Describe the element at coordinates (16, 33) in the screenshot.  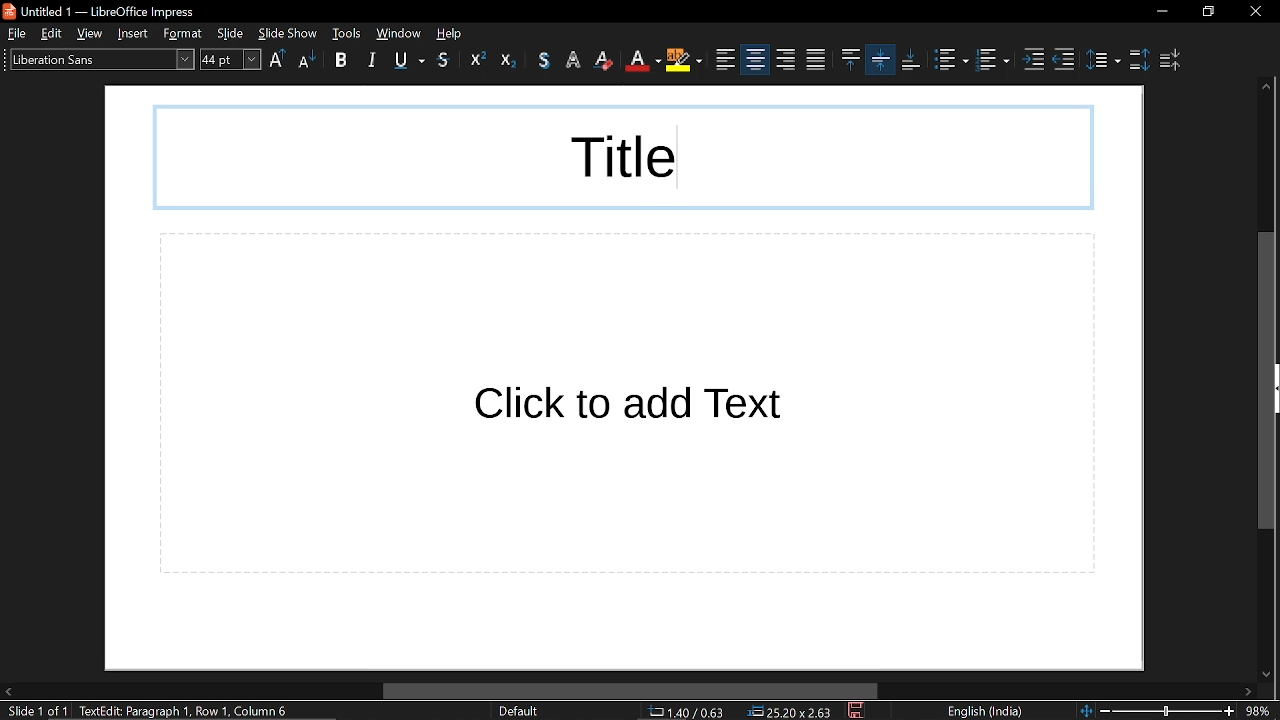
I see `file` at that location.